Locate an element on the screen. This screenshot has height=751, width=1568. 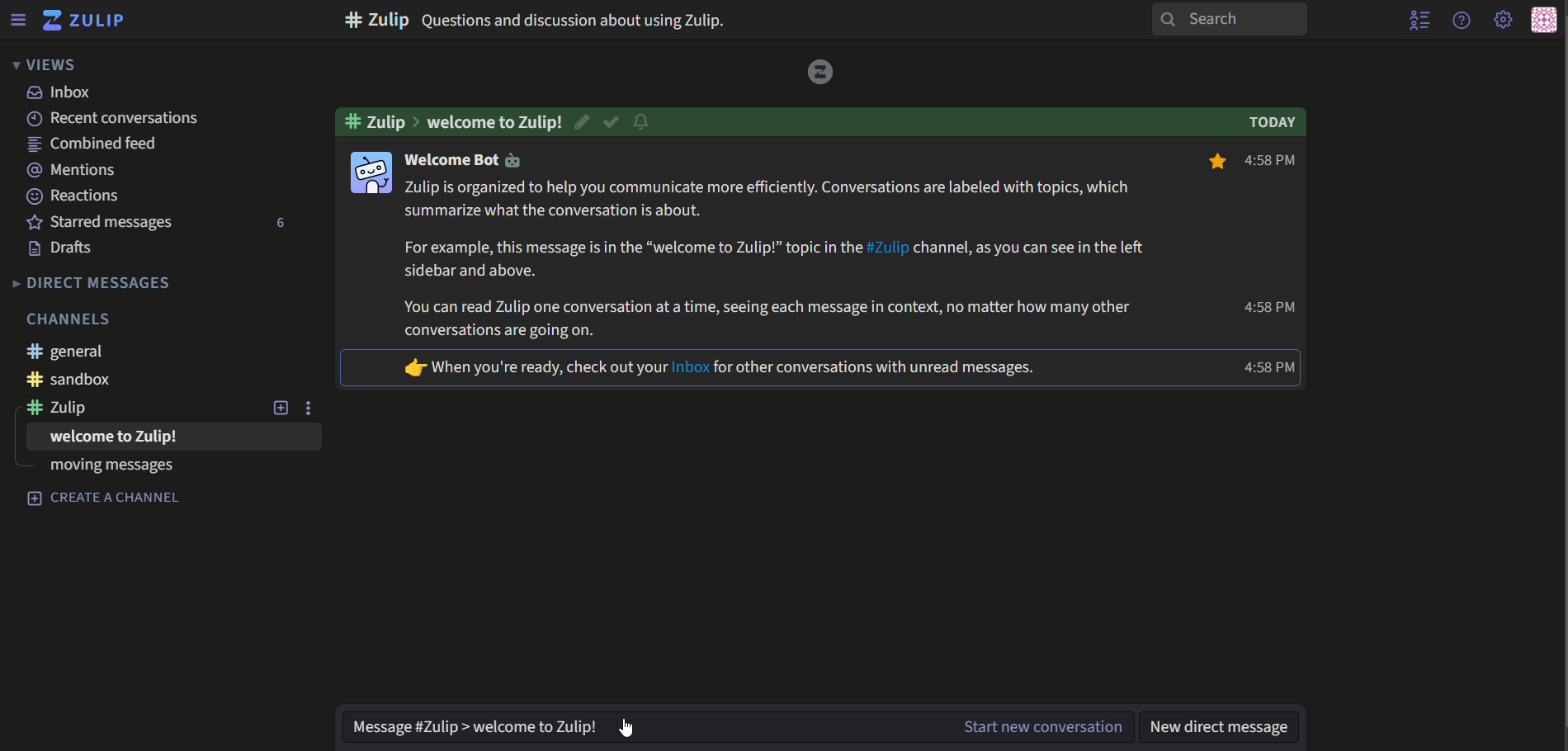
user list is located at coordinates (1419, 19).